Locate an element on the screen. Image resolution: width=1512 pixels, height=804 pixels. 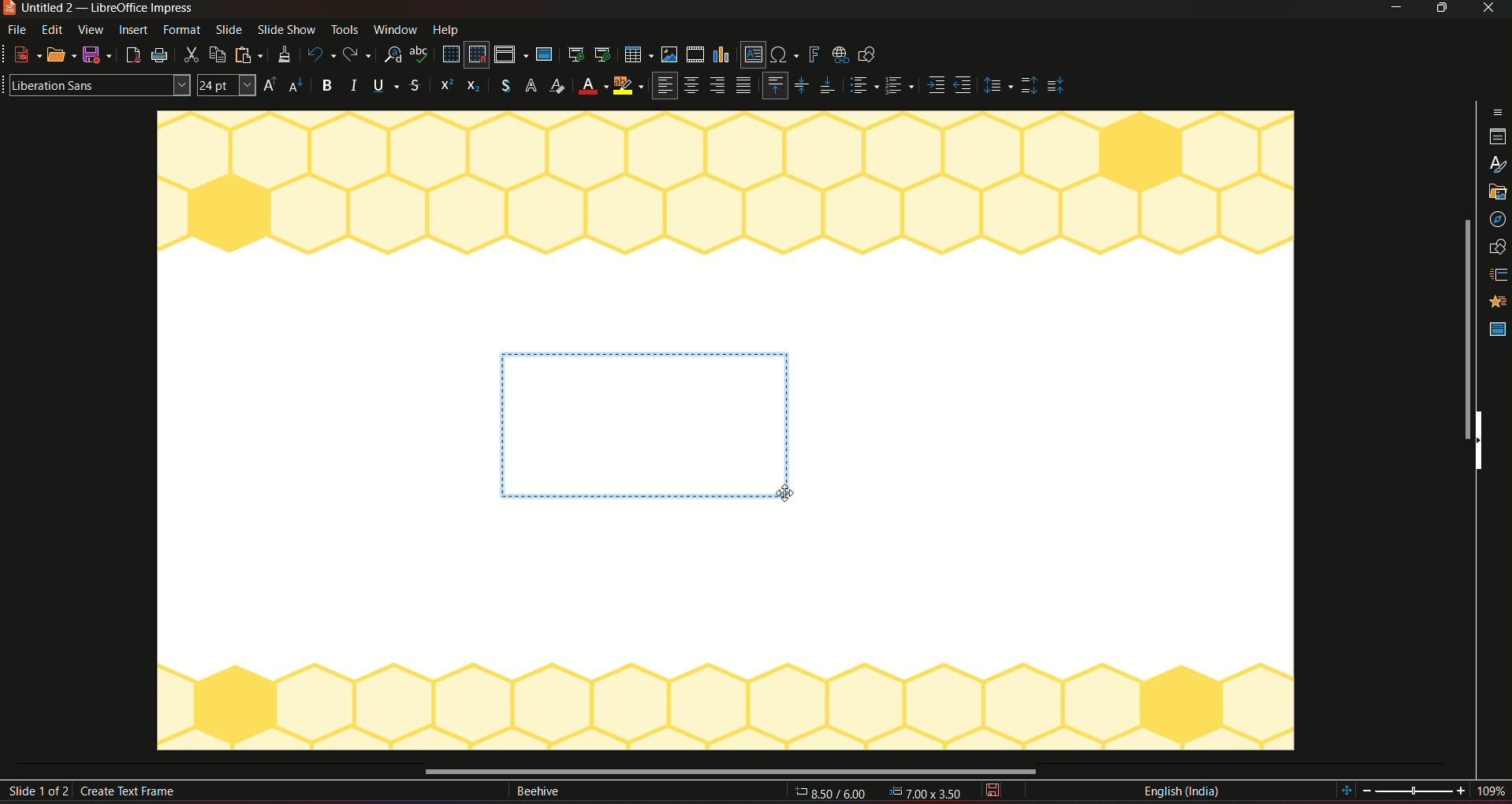
highlighter is located at coordinates (629, 87).